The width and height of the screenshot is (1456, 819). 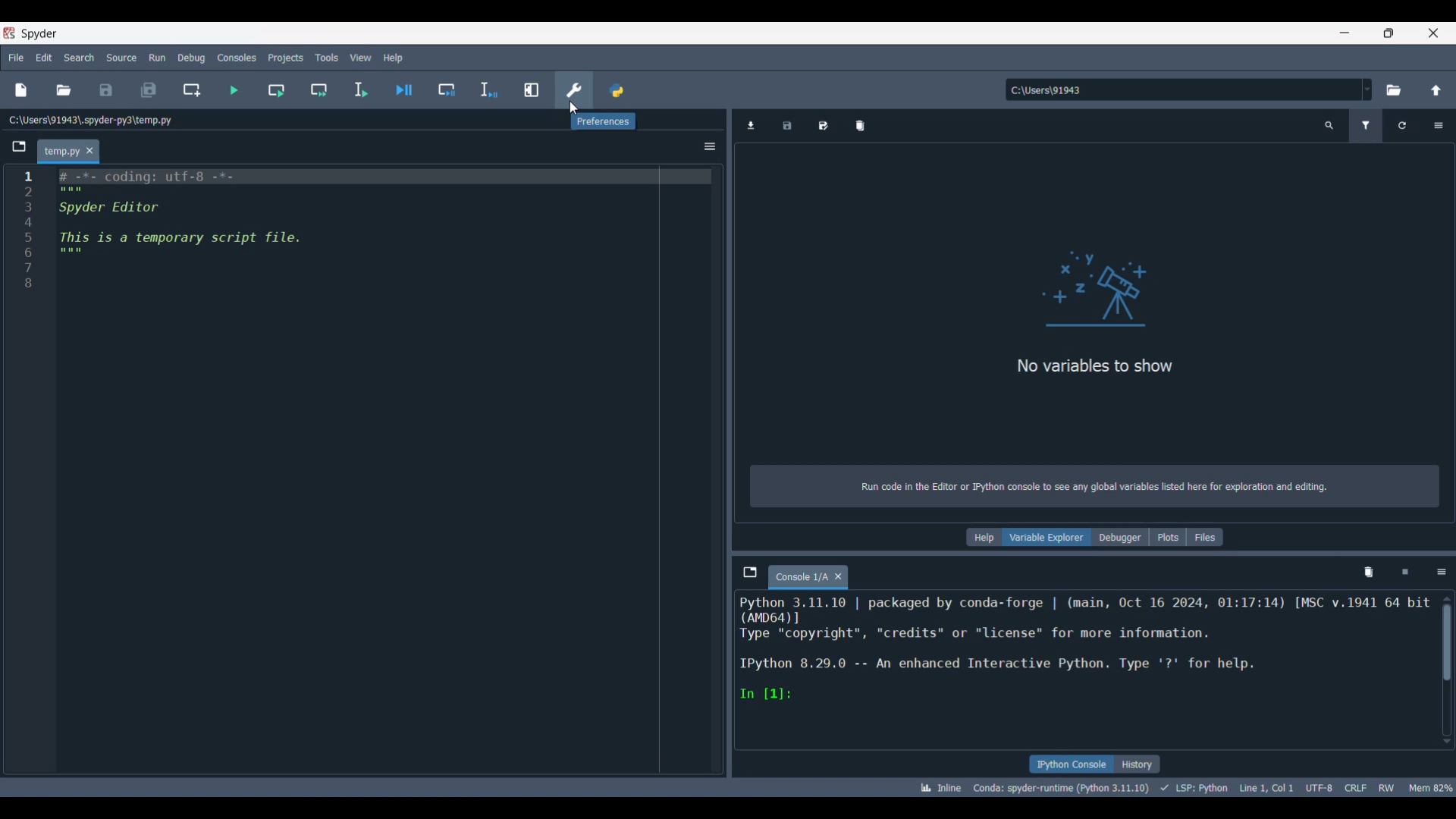 What do you see at coordinates (79, 58) in the screenshot?
I see `Search menu` at bounding box center [79, 58].